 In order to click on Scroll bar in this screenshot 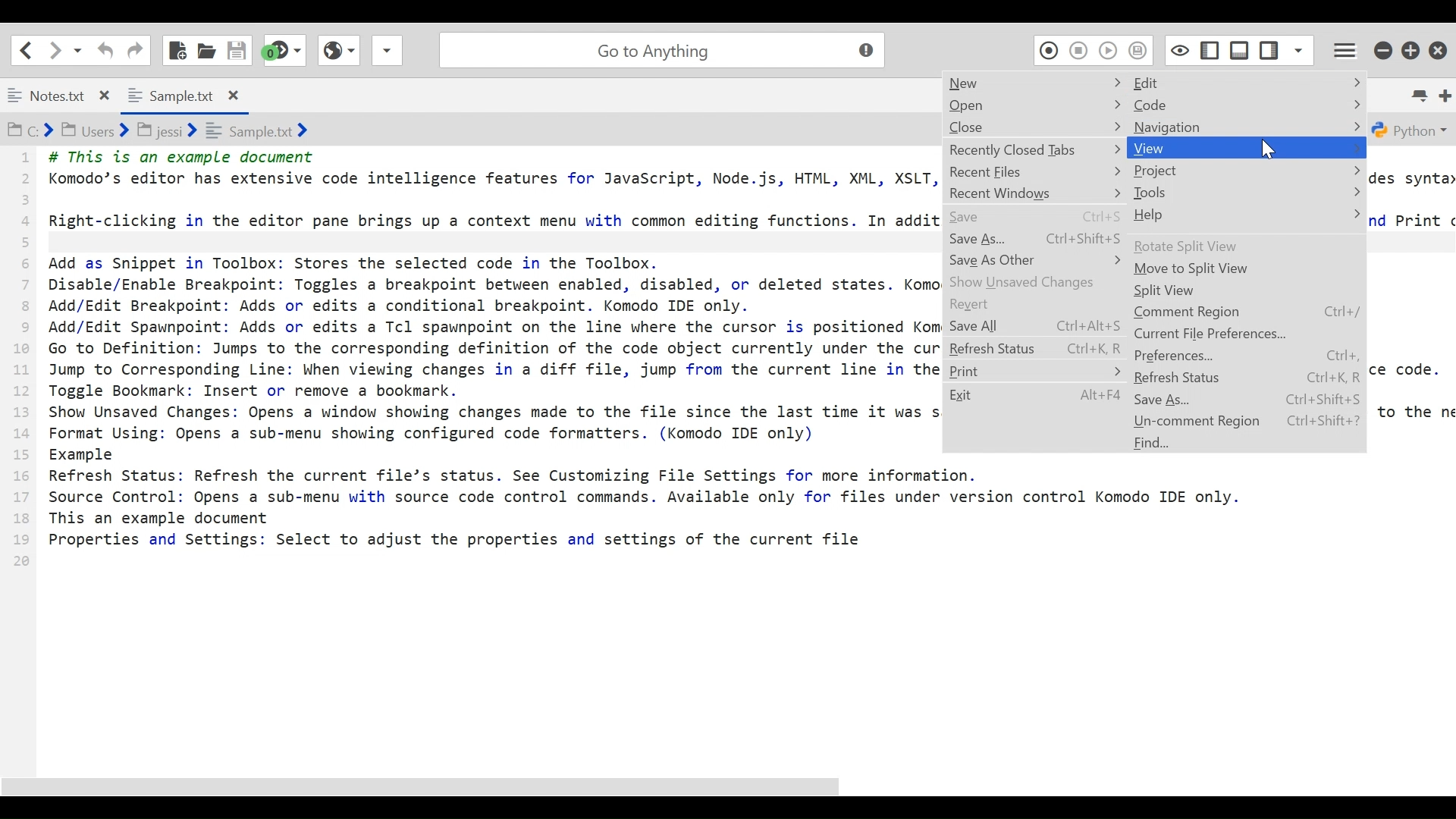, I will do `click(727, 783)`.